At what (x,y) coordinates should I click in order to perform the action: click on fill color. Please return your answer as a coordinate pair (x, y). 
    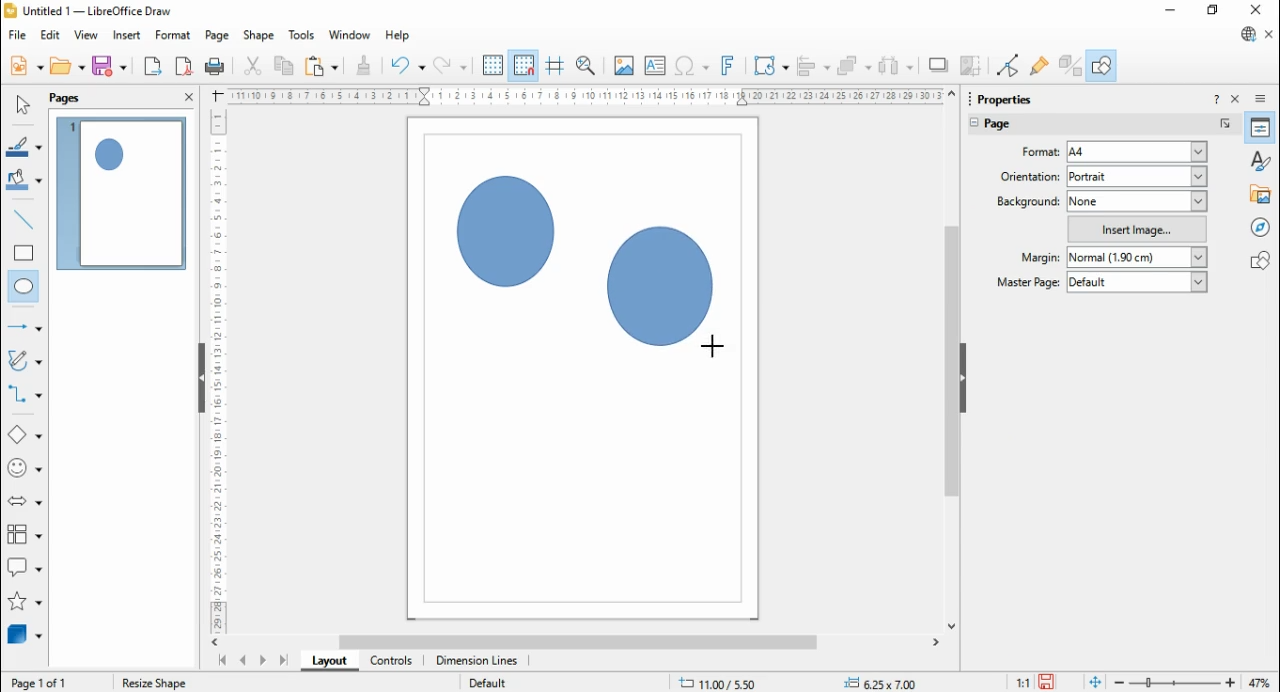
    Looking at the image, I should click on (25, 181).